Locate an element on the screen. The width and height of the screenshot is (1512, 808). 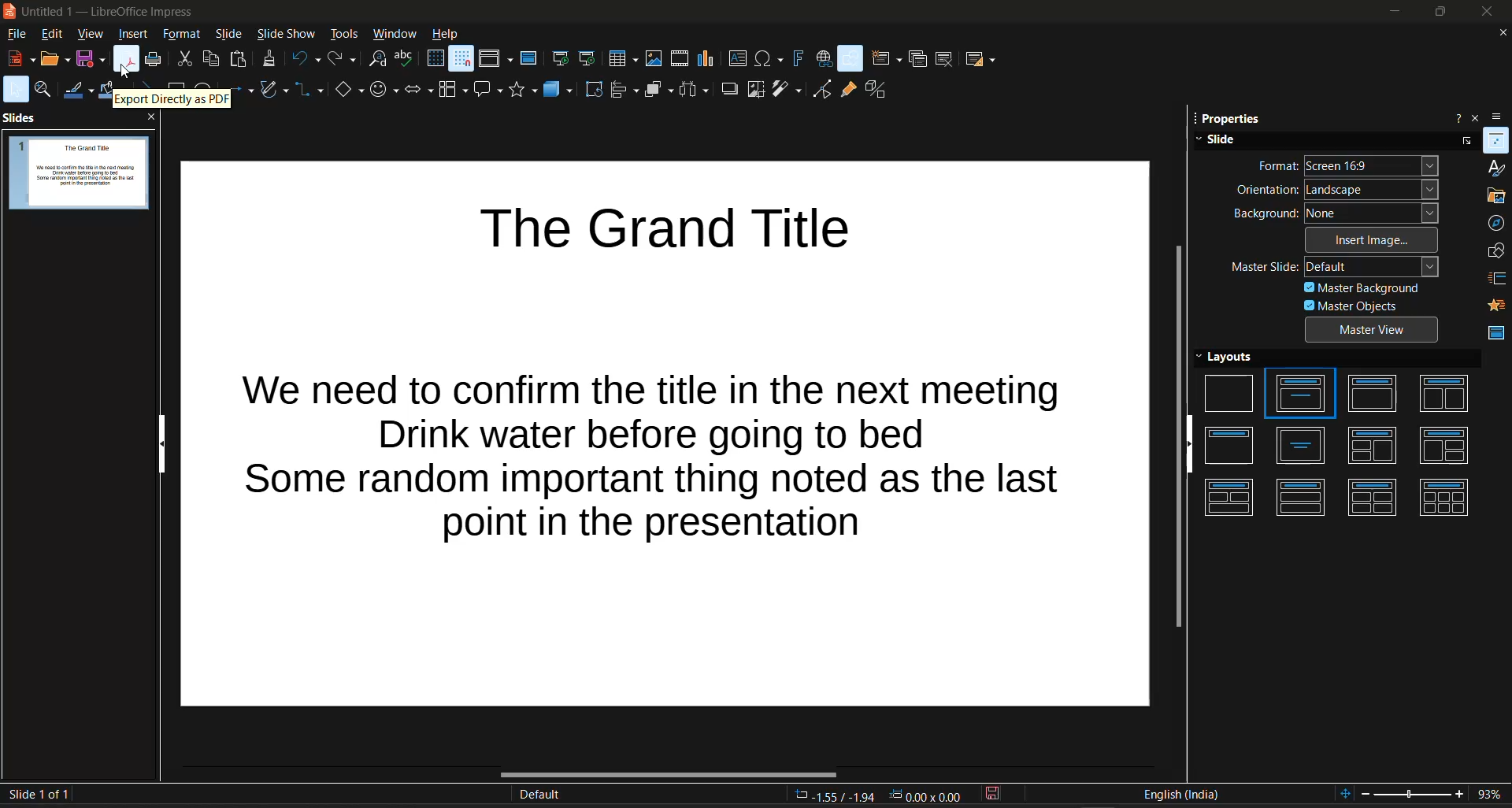
crop image is located at coordinates (755, 90).